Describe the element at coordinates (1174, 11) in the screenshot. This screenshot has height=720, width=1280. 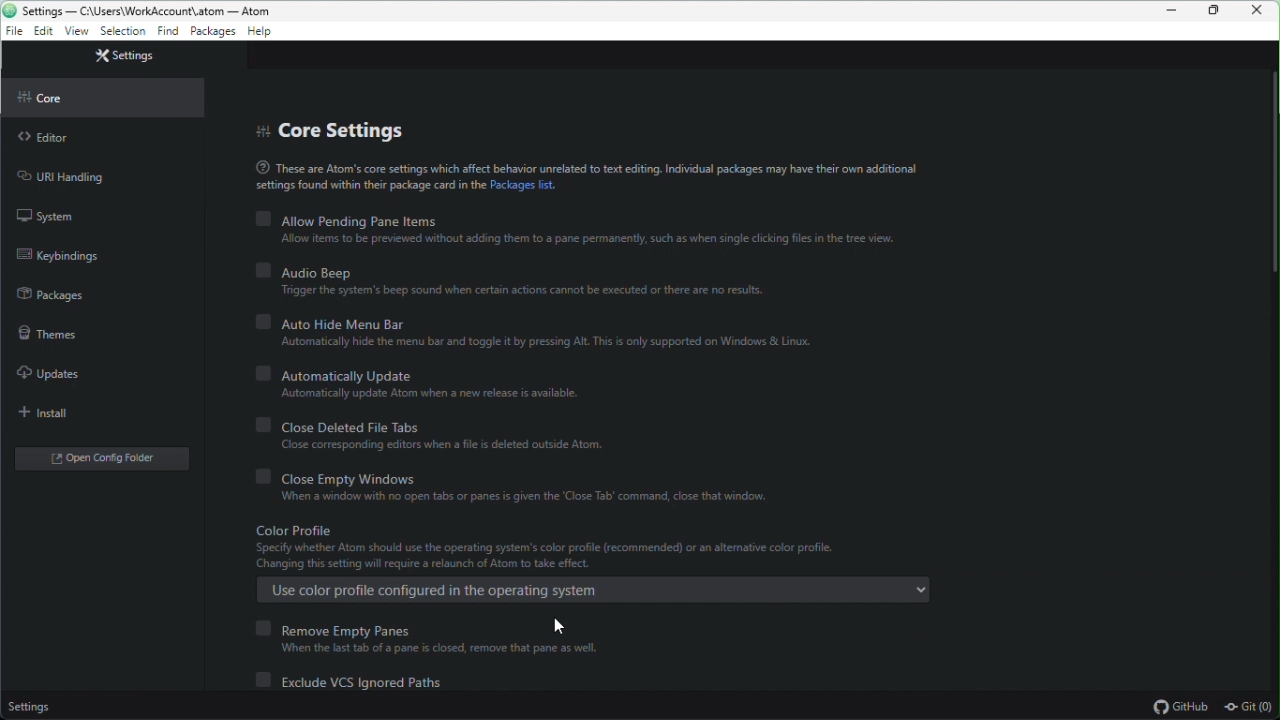
I see `Minimize` at that location.